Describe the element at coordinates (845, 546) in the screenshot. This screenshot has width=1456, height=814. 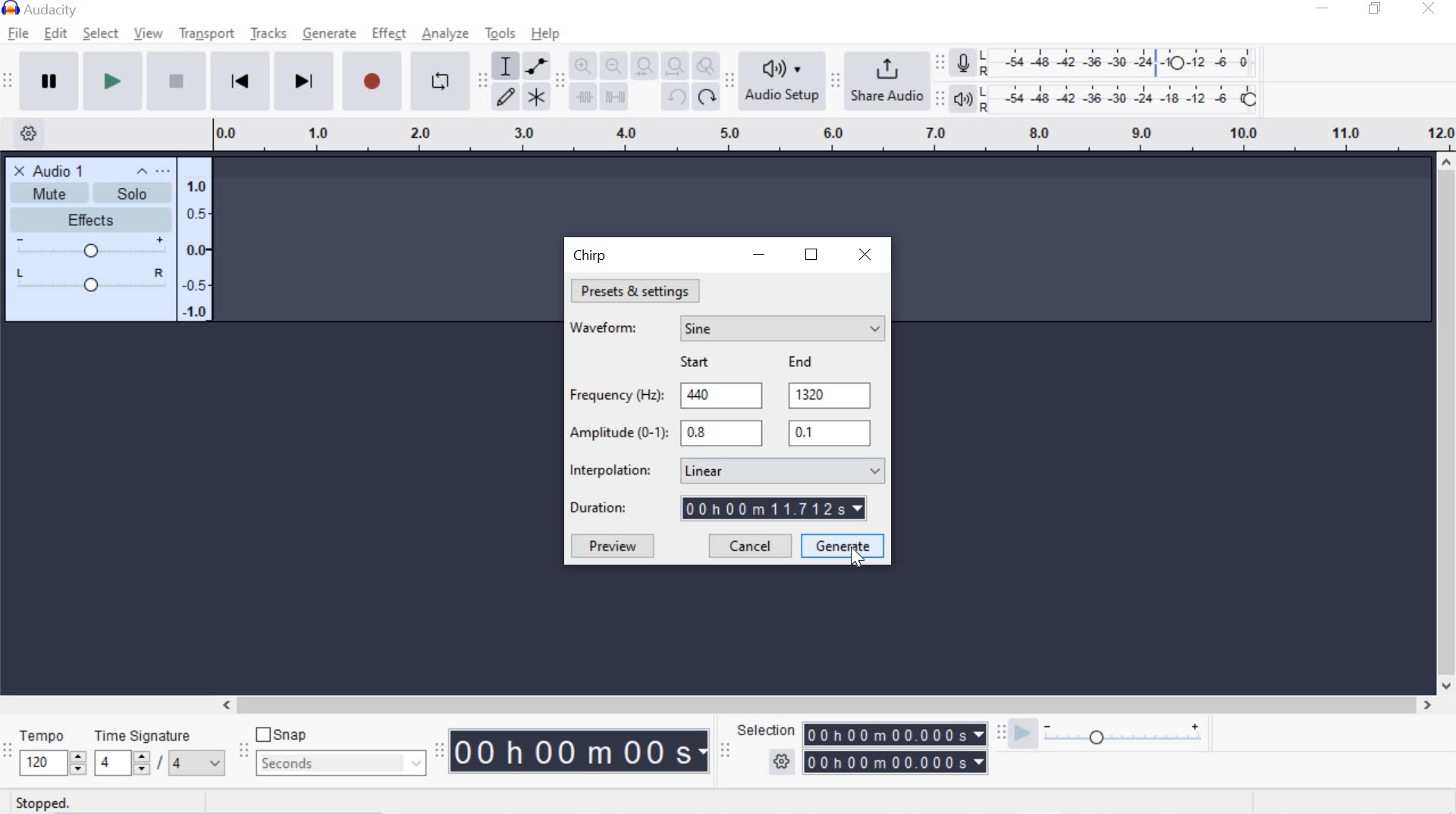
I see `generate` at that location.